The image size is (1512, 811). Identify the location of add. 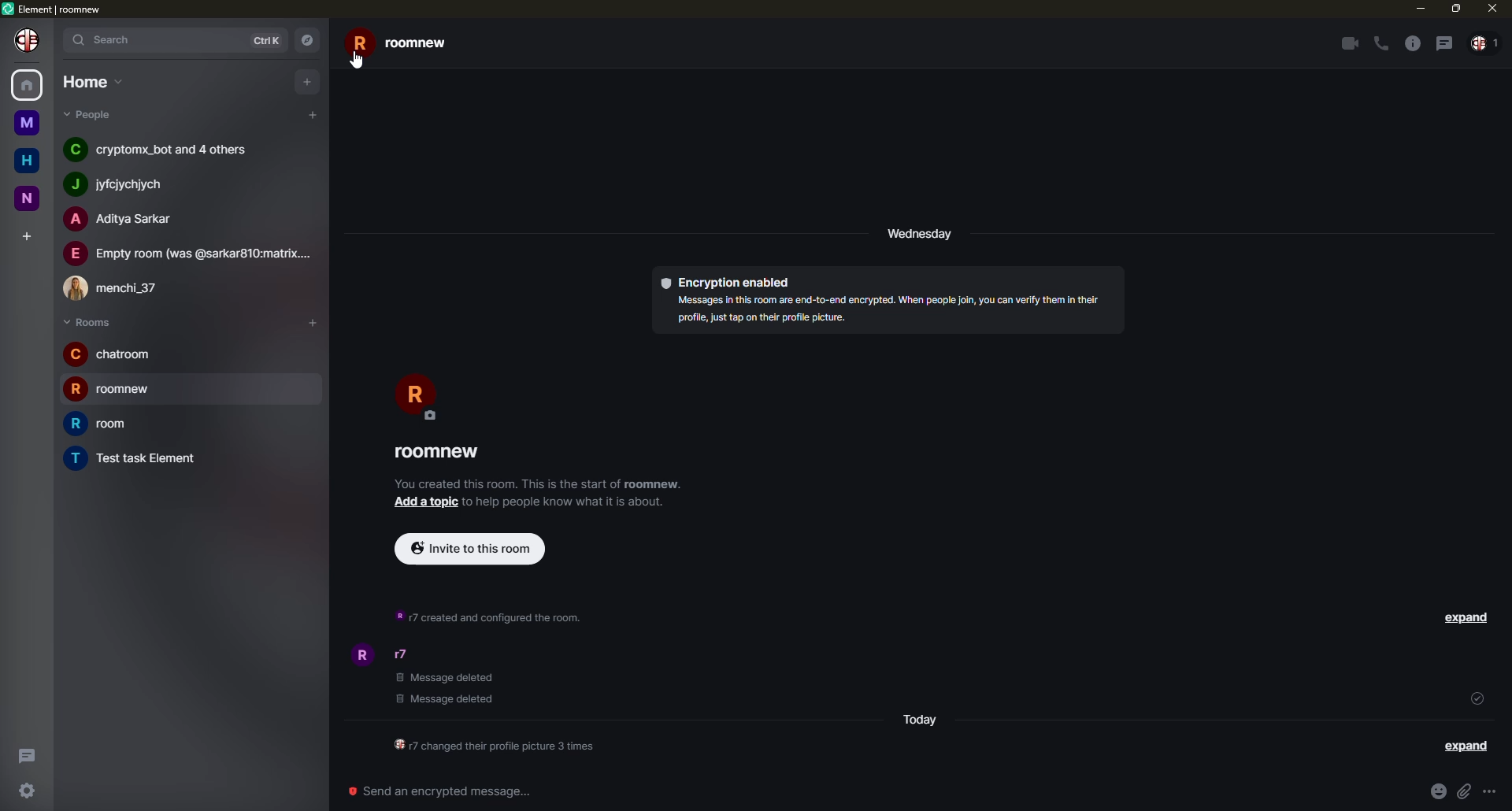
(425, 503).